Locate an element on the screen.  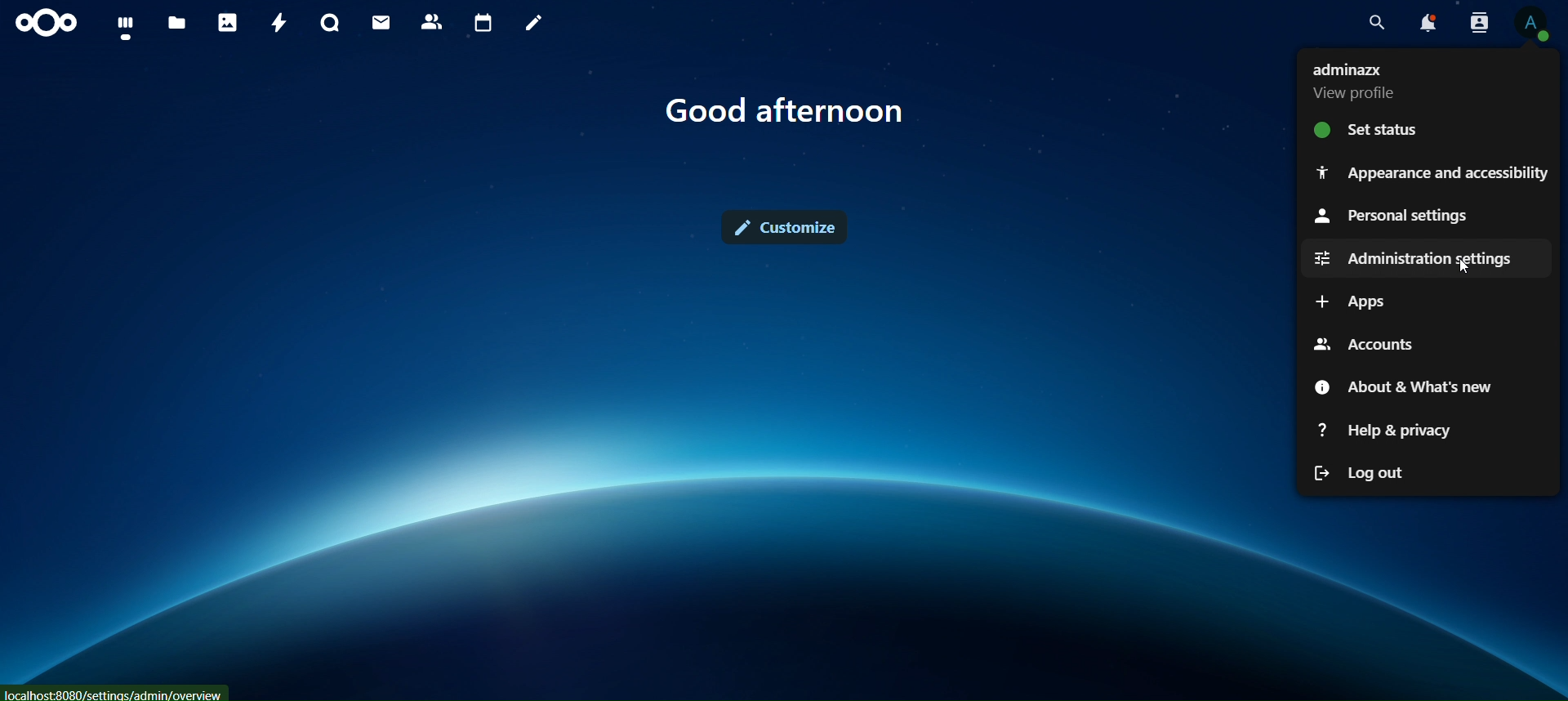
good afternoon is located at coordinates (782, 113).